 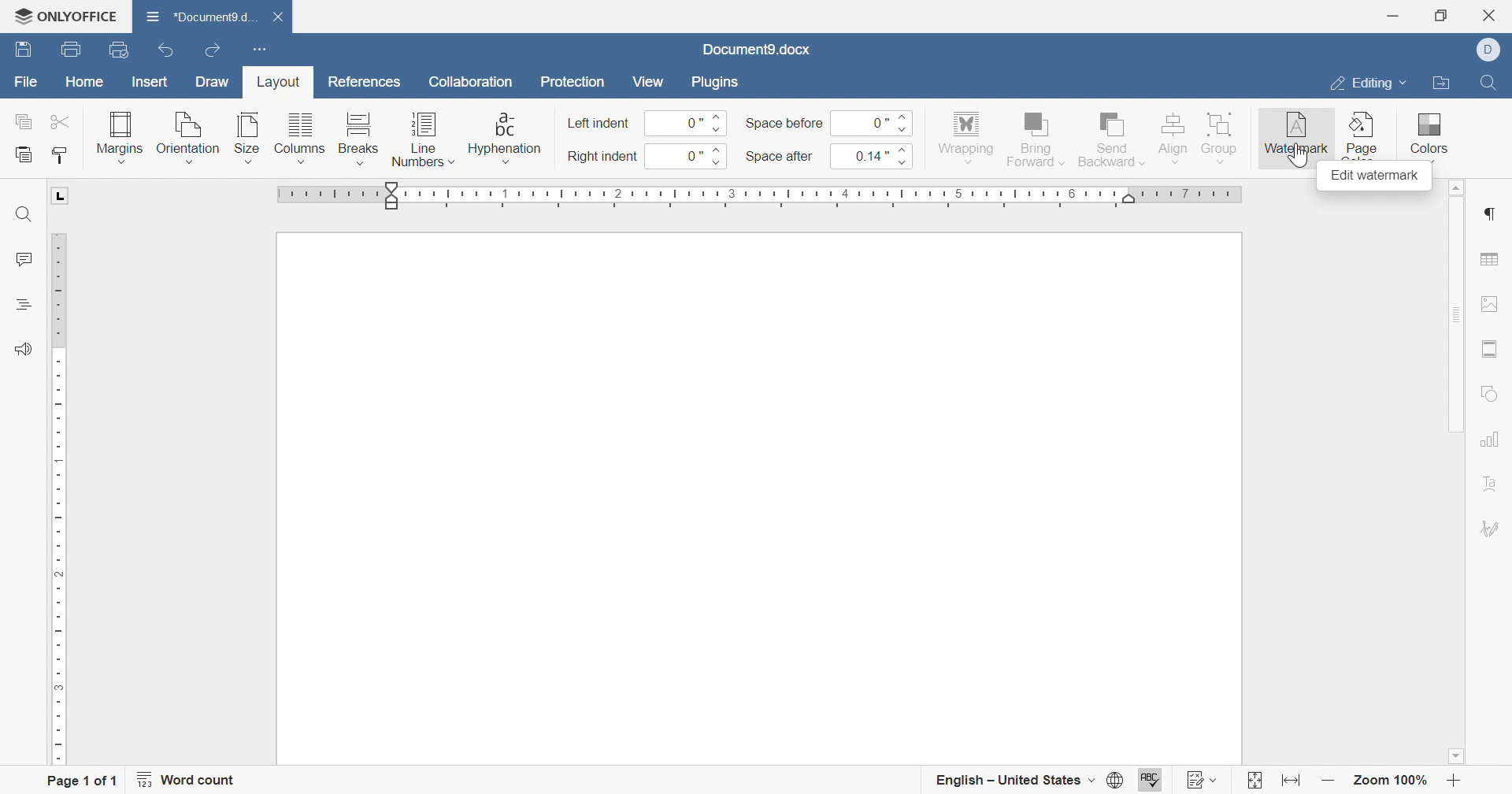 What do you see at coordinates (599, 124) in the screenshot?
I see `left indent` at bounding box center [599, 124].